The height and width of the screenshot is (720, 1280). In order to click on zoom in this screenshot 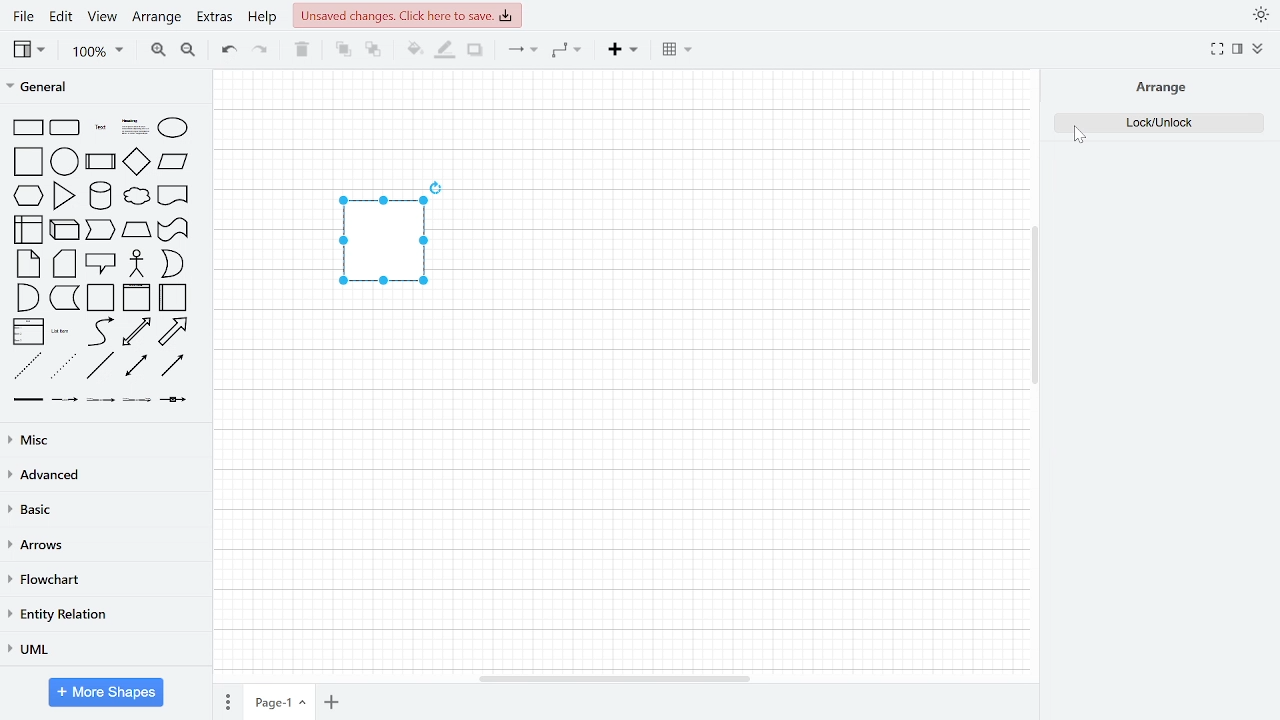, I will do `click(99, 52)`.